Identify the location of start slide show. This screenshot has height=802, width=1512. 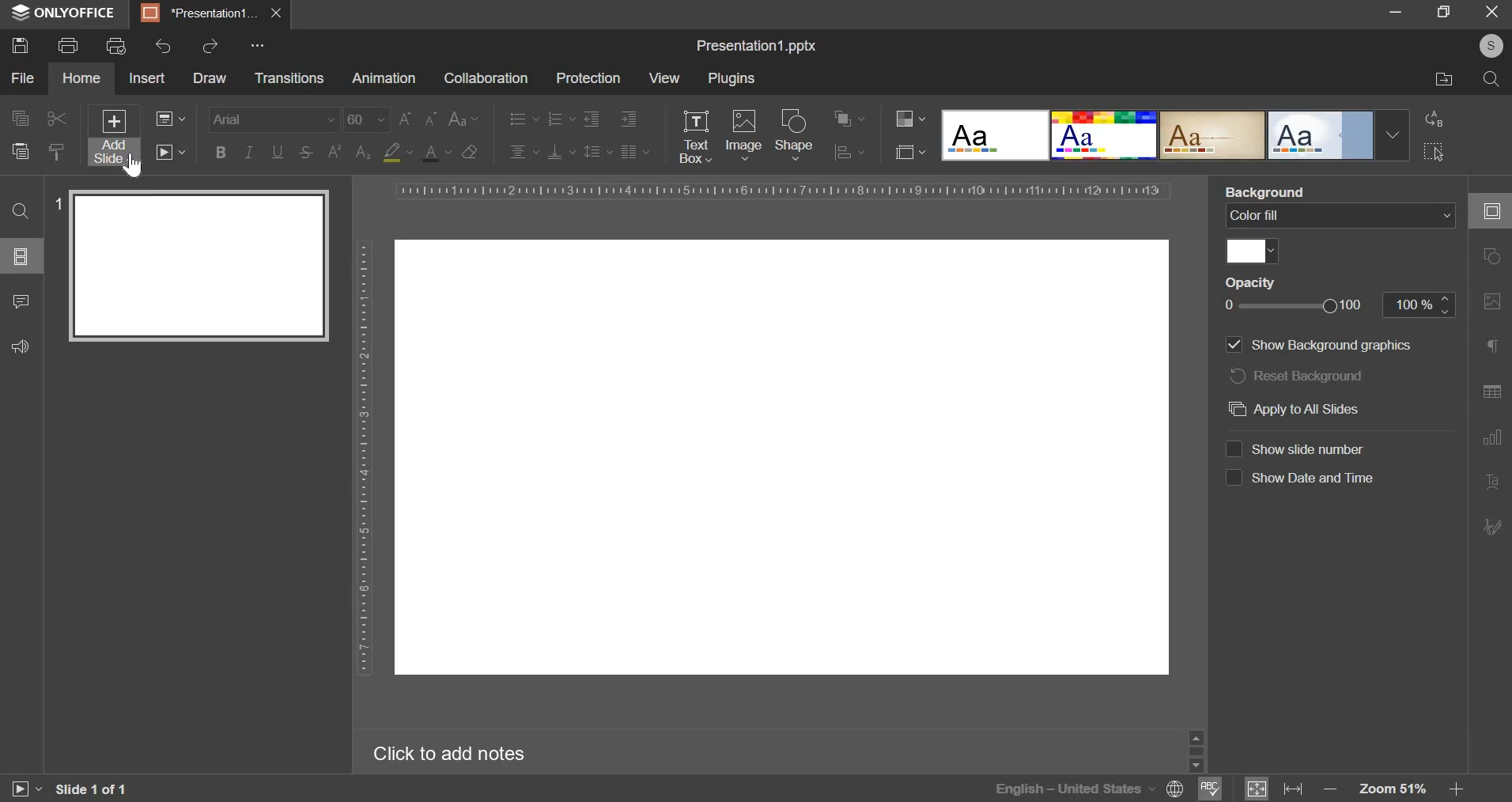
(19, 791).